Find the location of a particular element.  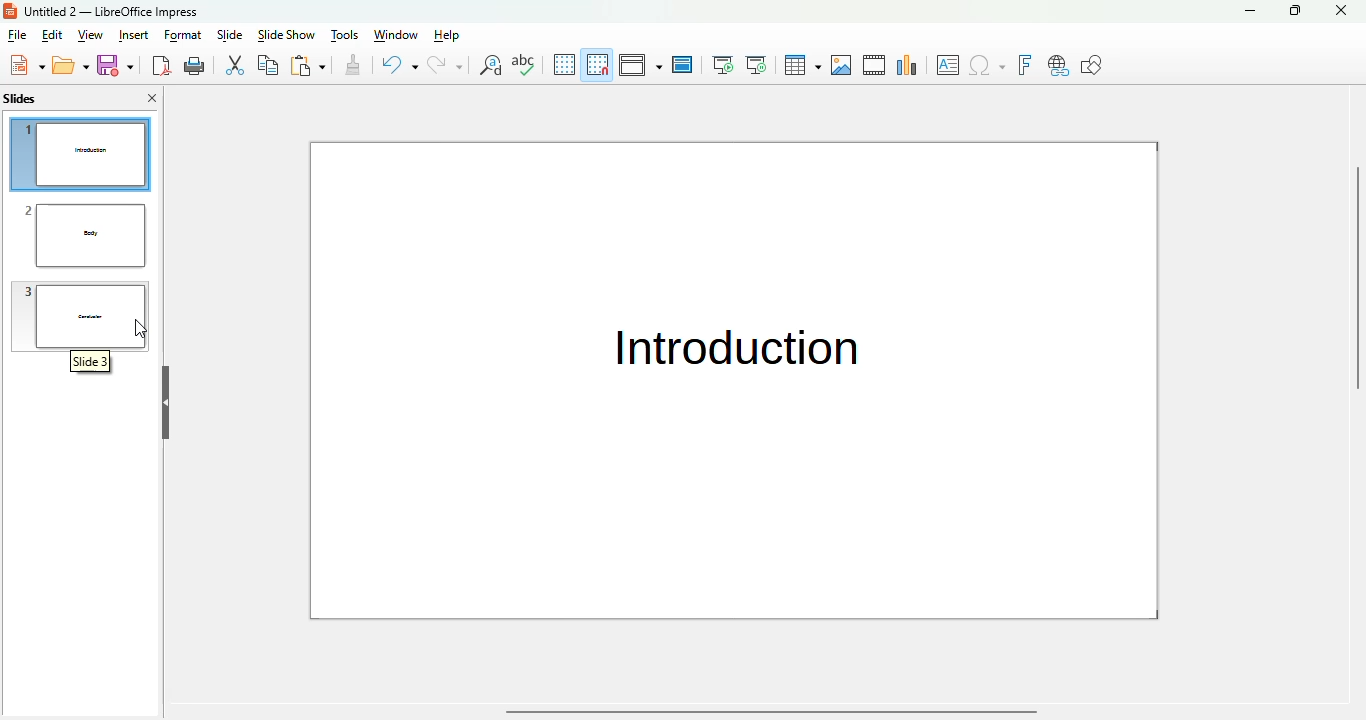

display grid is located at coordinates (564, 63).